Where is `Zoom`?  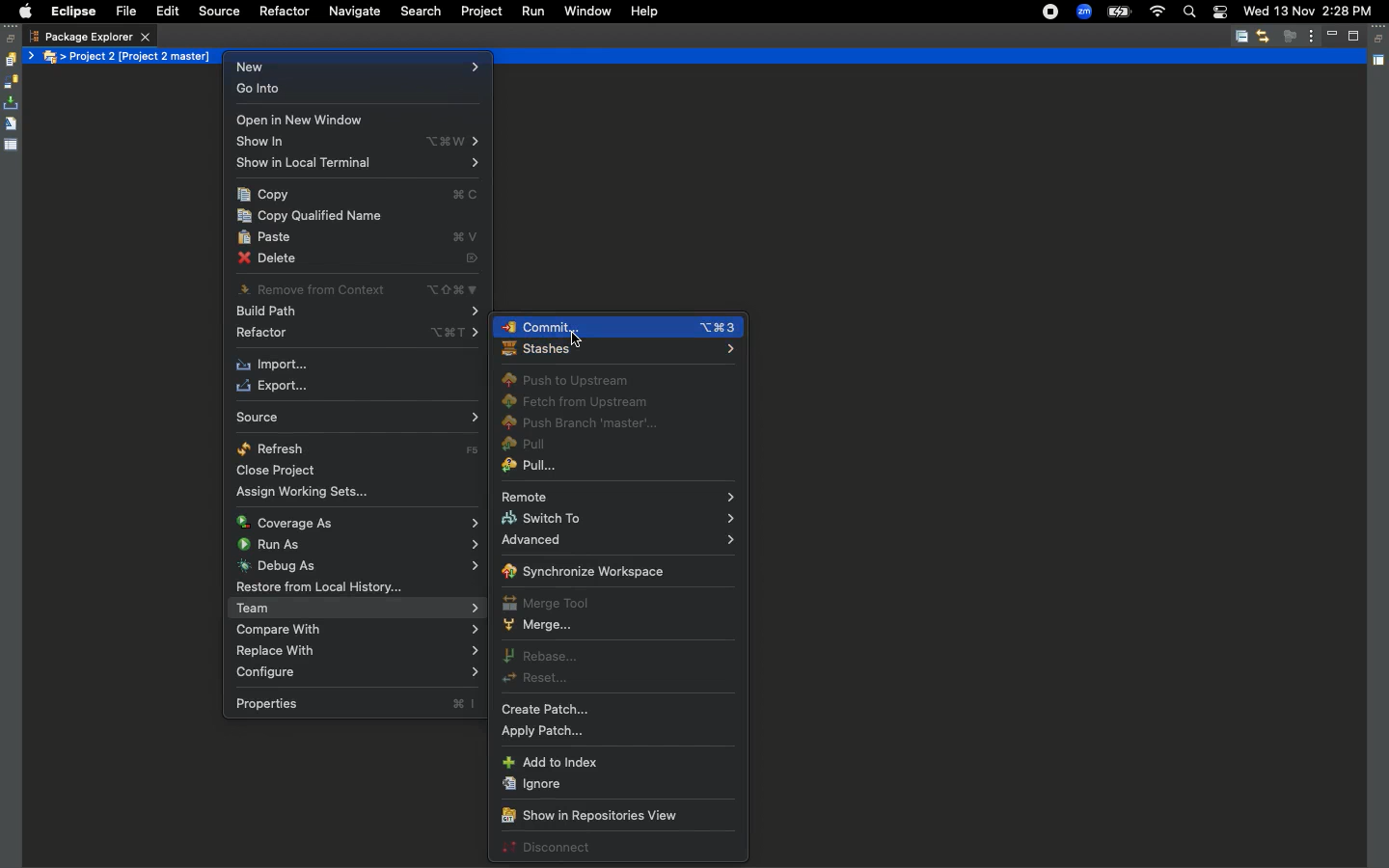 Zoom is located at coordinates (1084, 13).